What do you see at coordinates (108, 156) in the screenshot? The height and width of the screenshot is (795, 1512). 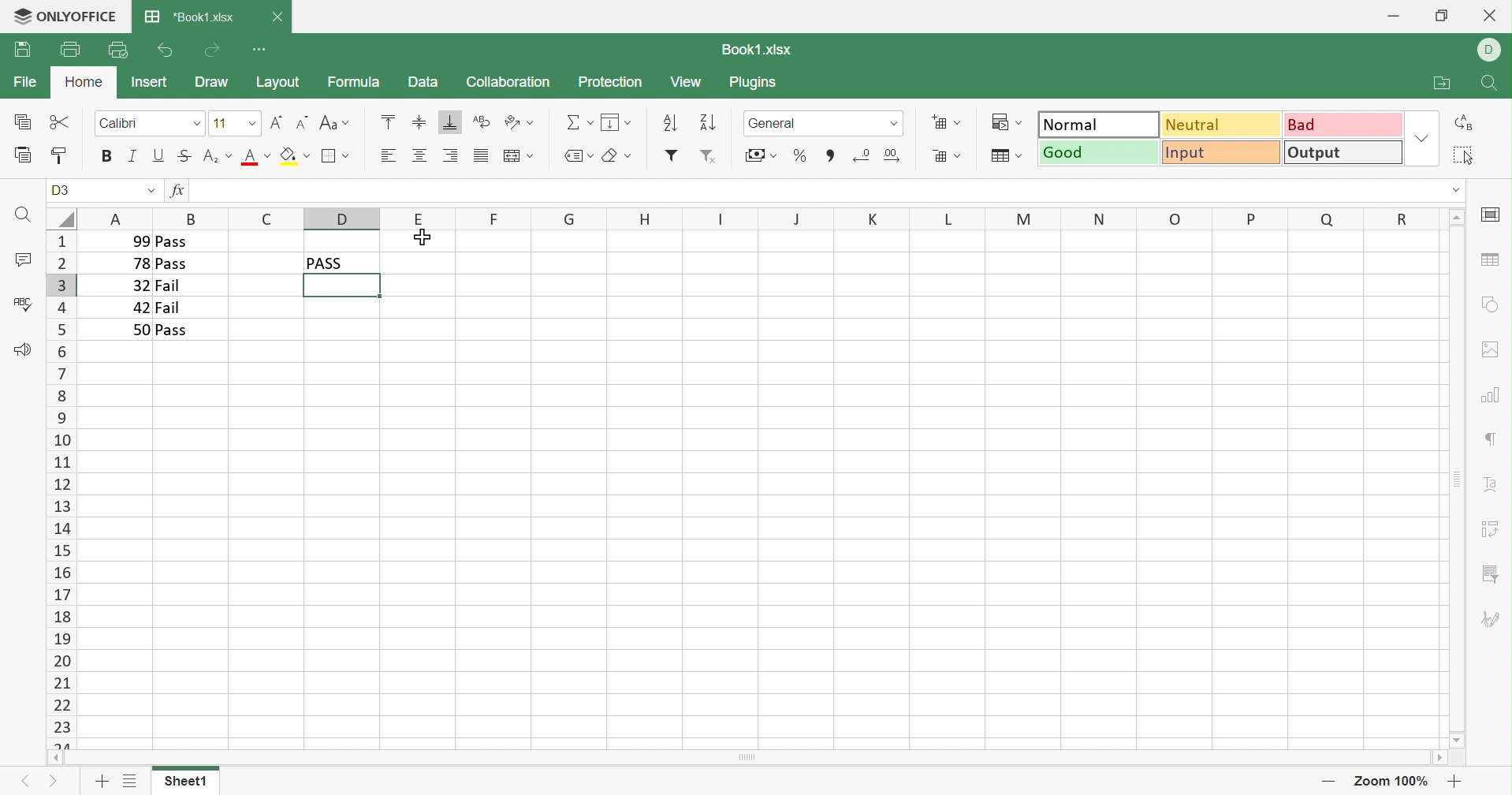 I see `Bold` at bounding box center [108, 156].